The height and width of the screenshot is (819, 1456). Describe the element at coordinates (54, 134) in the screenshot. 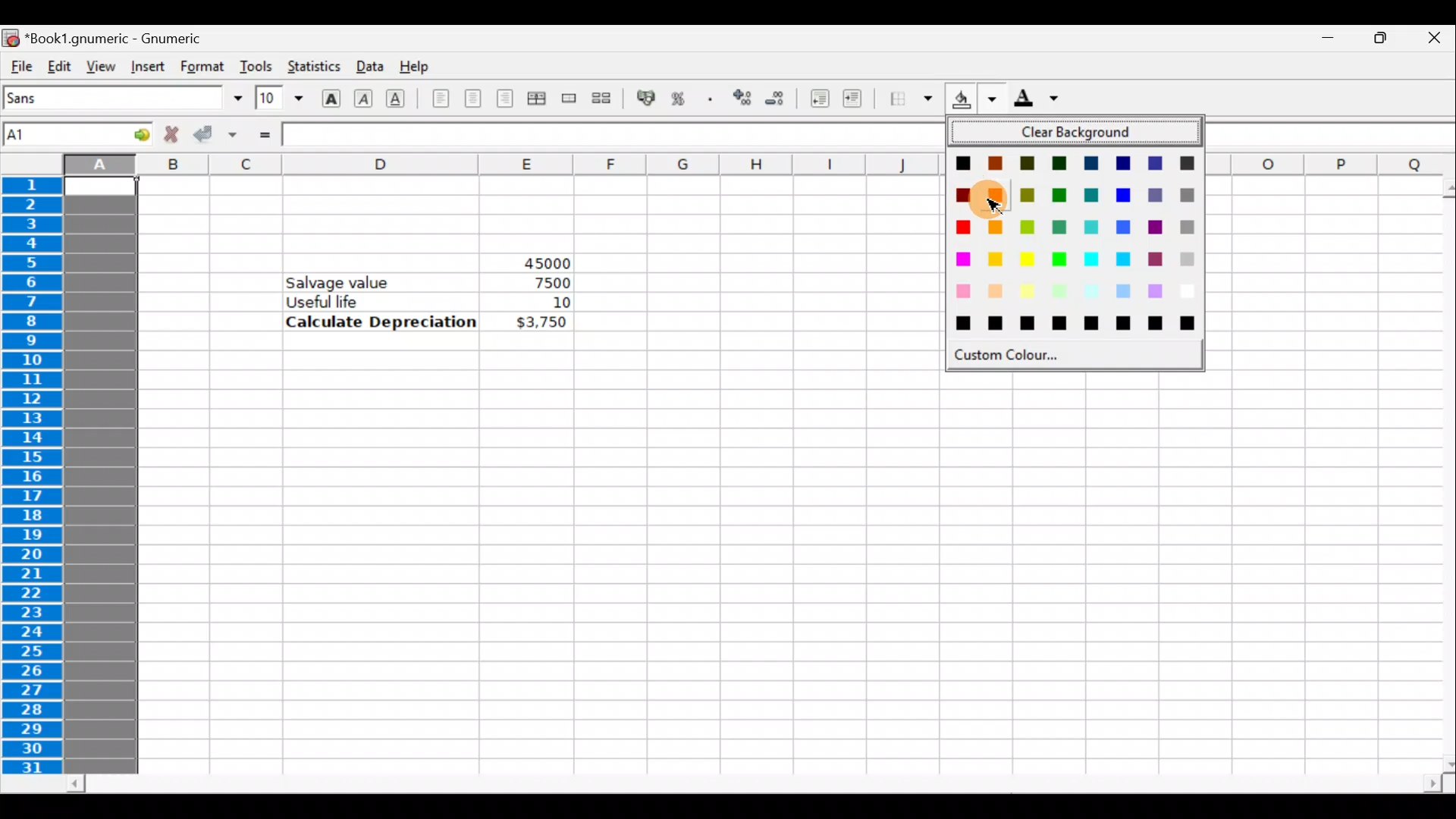

I see `Cell name A1` at that location.